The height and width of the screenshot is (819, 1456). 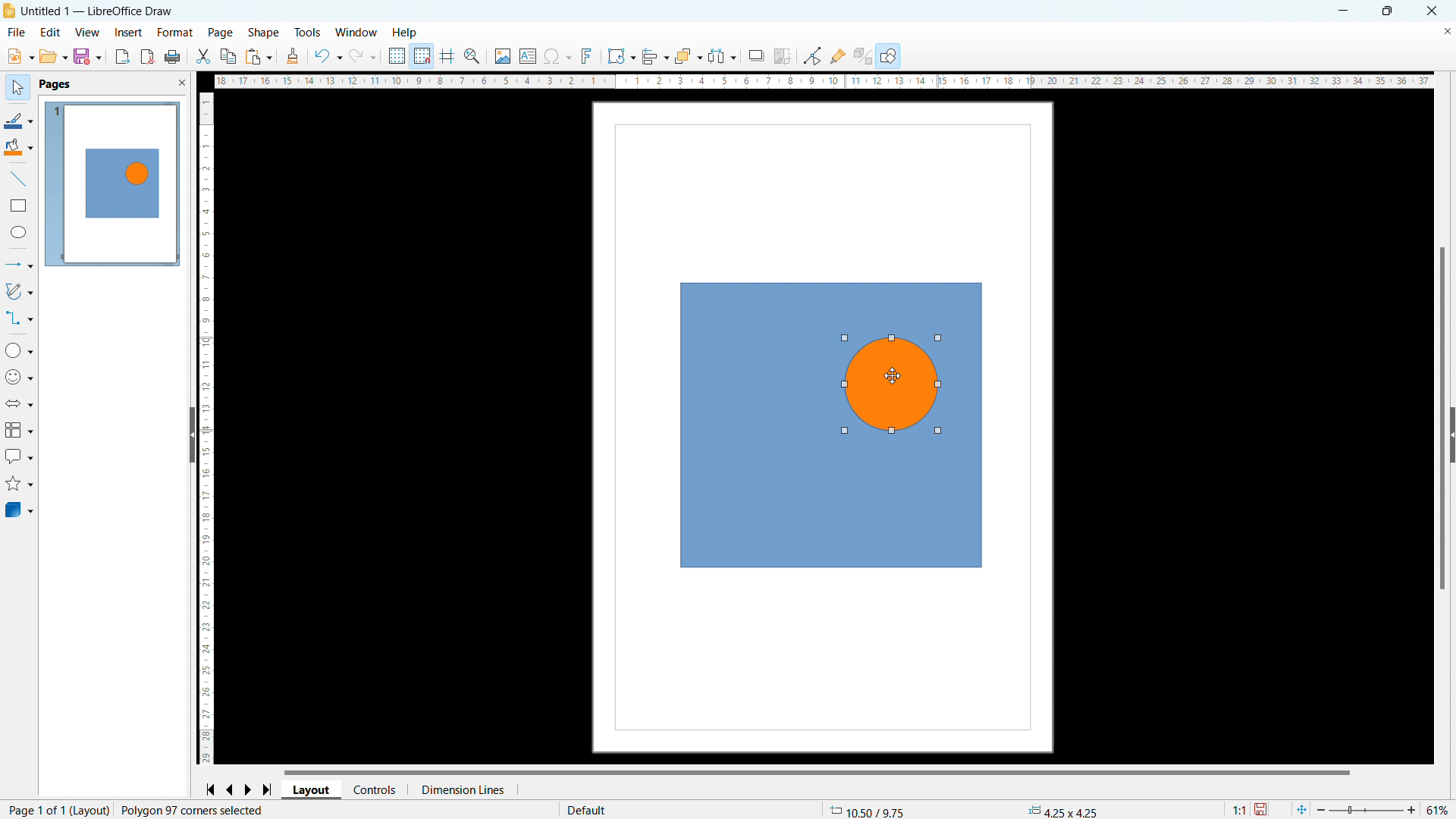 What do you see at coordinates (558, 57) in the screenshot?
I see `insert special characters` at bounding box center [558, 57].